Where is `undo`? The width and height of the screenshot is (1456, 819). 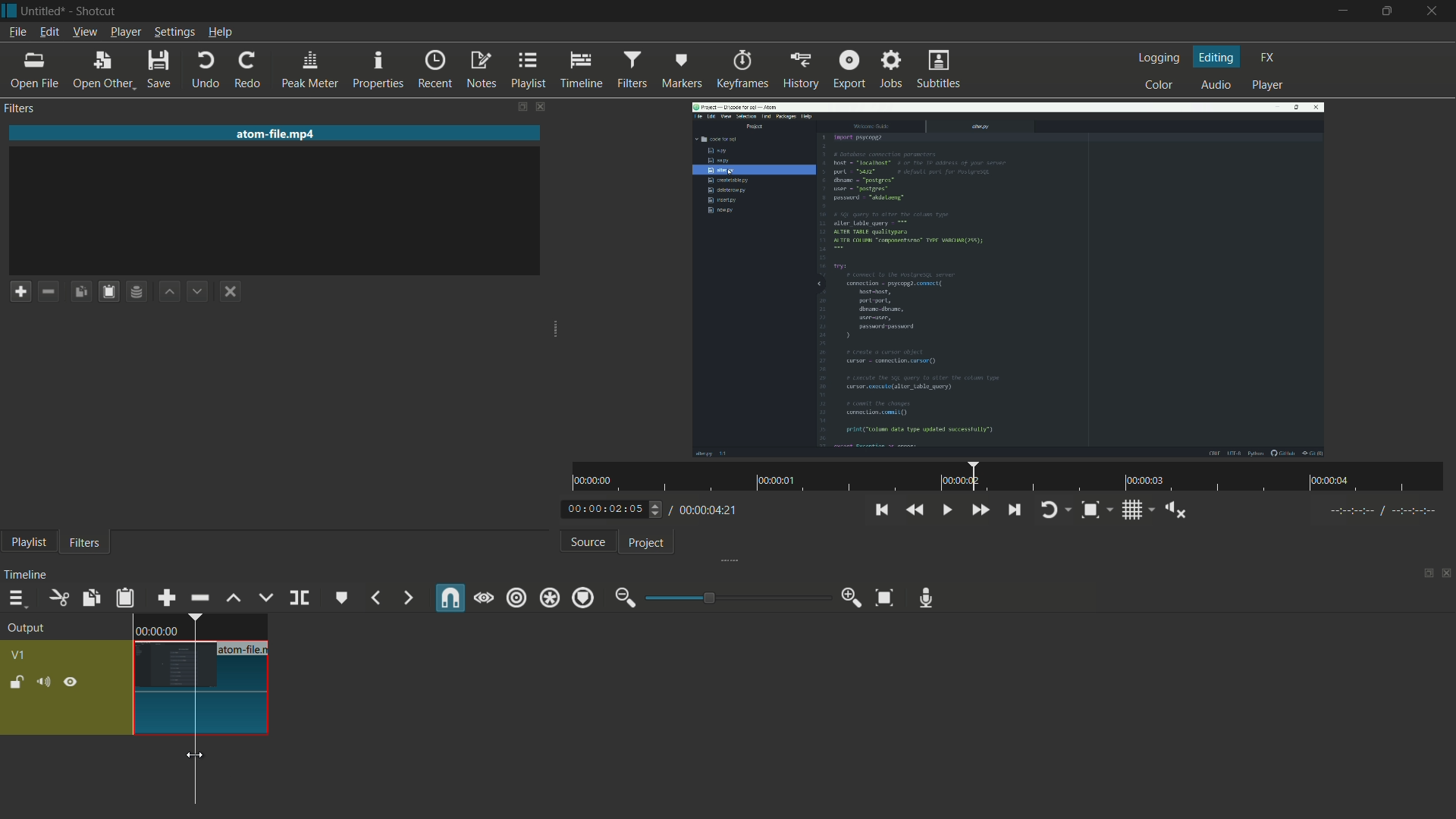 undo is located at coordinates (206, 69).